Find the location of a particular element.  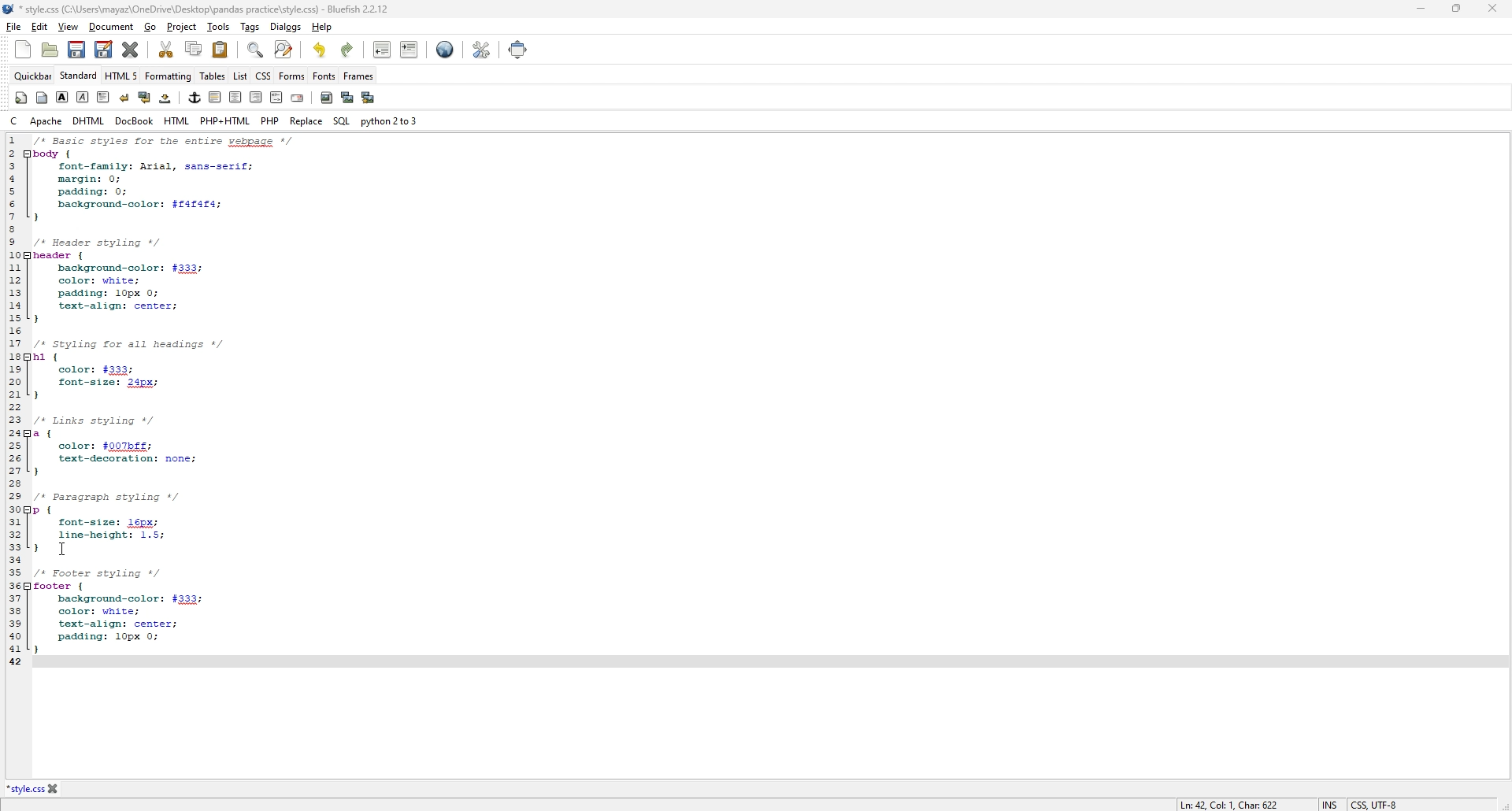

save as is located at coordinates (105, 50).